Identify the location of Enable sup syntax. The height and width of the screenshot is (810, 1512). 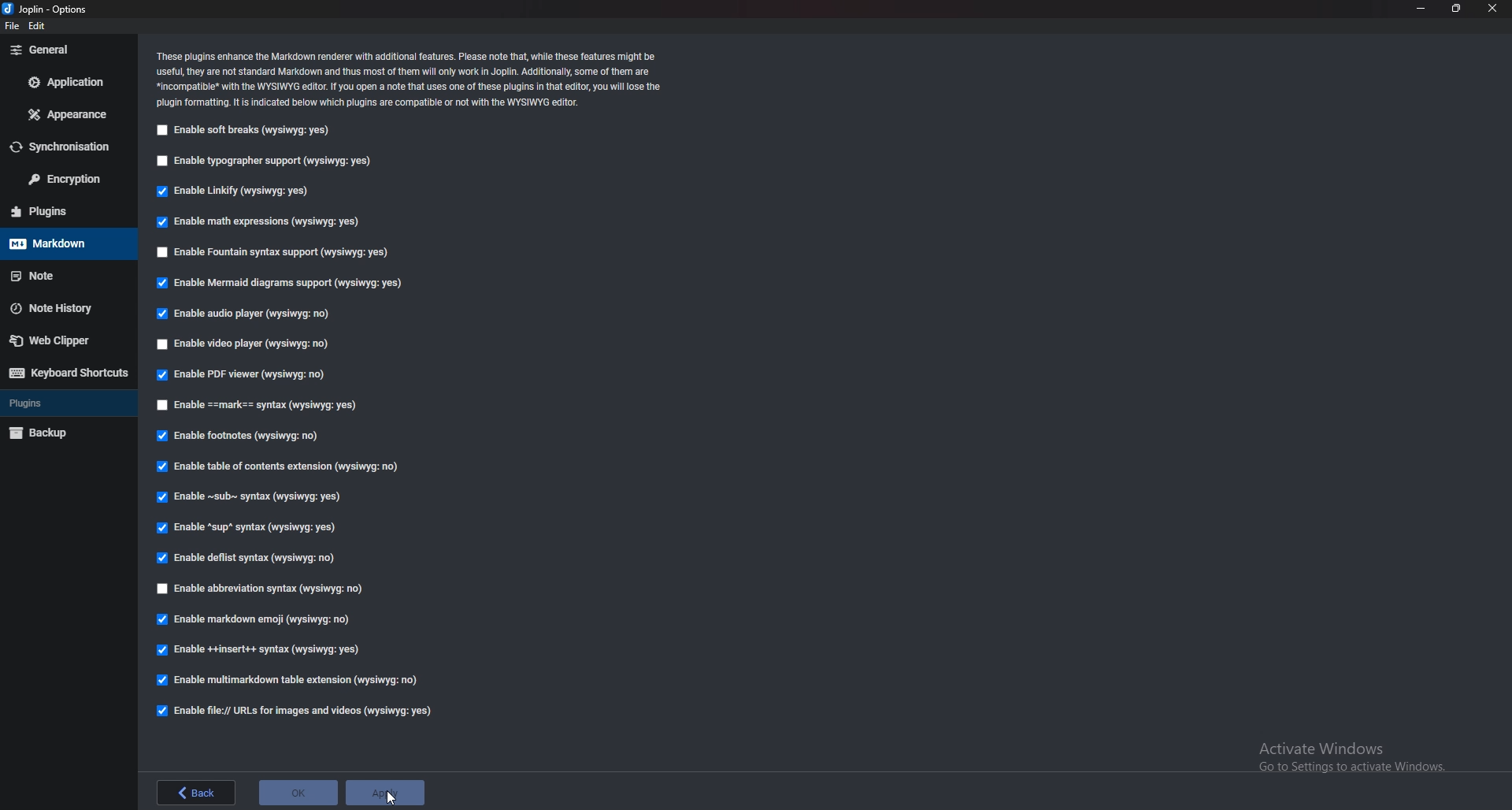
(249, 529).